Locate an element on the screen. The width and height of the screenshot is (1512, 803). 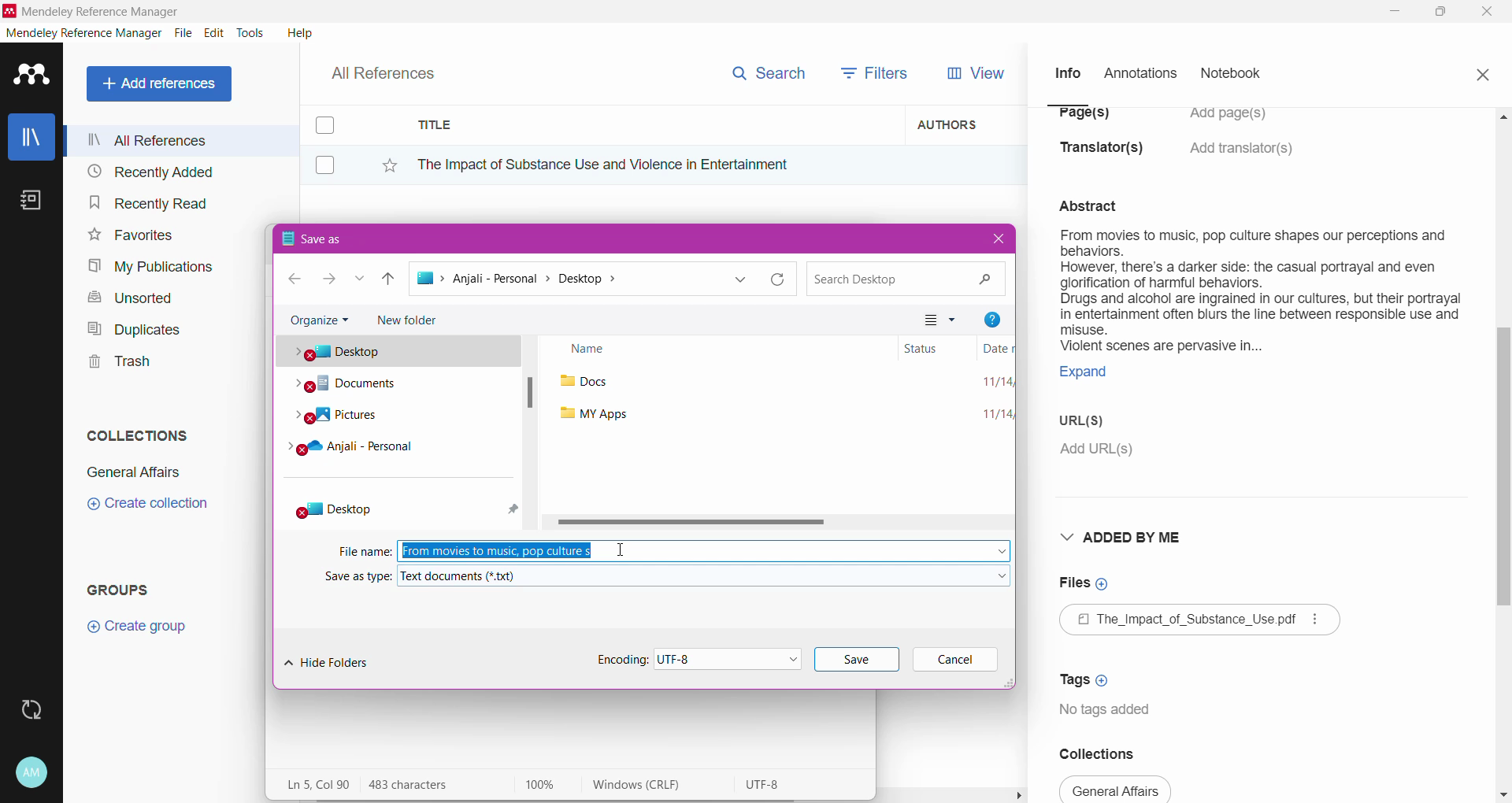
Save as type is located at coordinates (355, 578).